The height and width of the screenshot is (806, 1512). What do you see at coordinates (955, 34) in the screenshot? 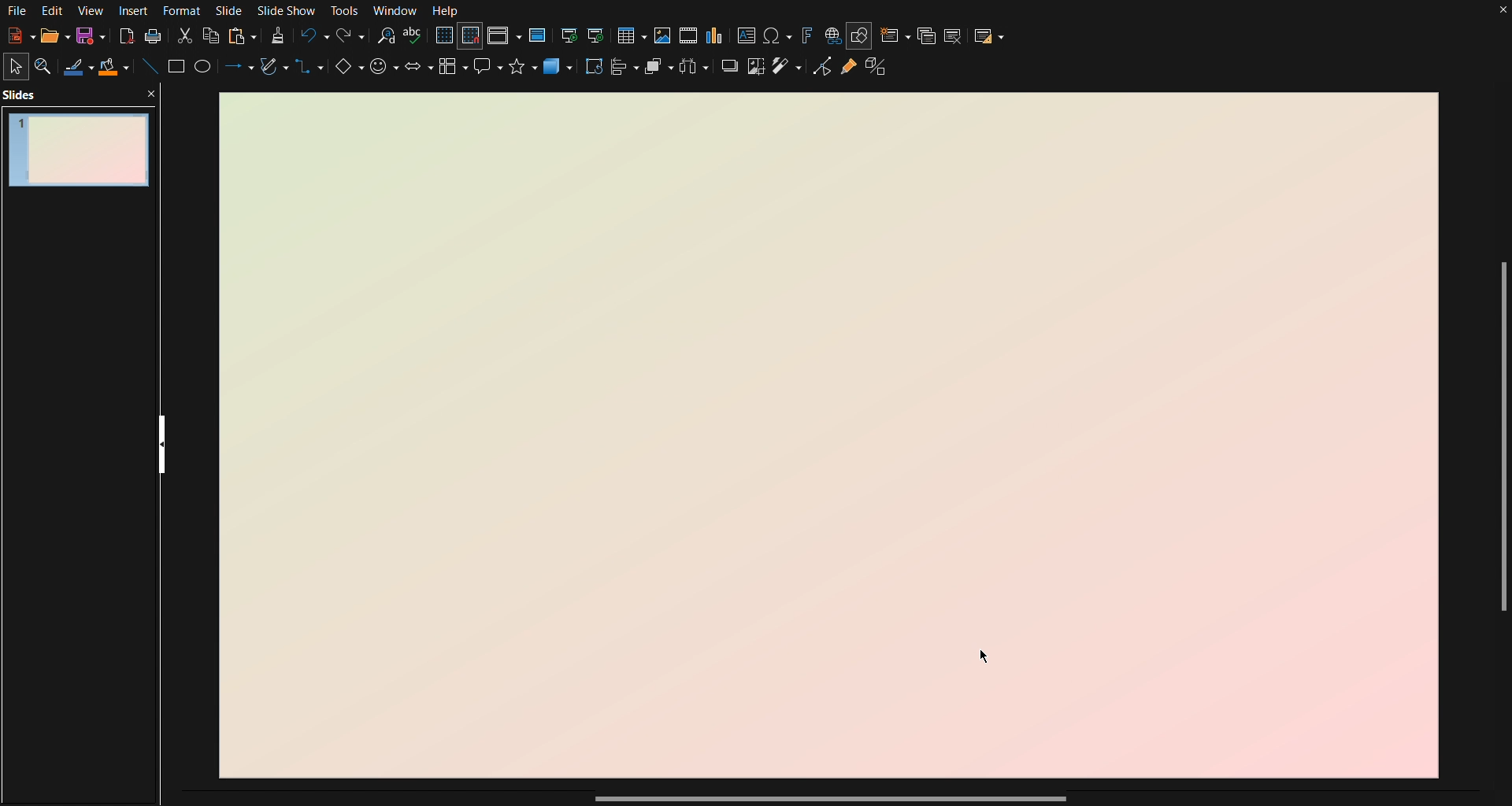
I see `Delete Slide` at bounding box center [955, 34].